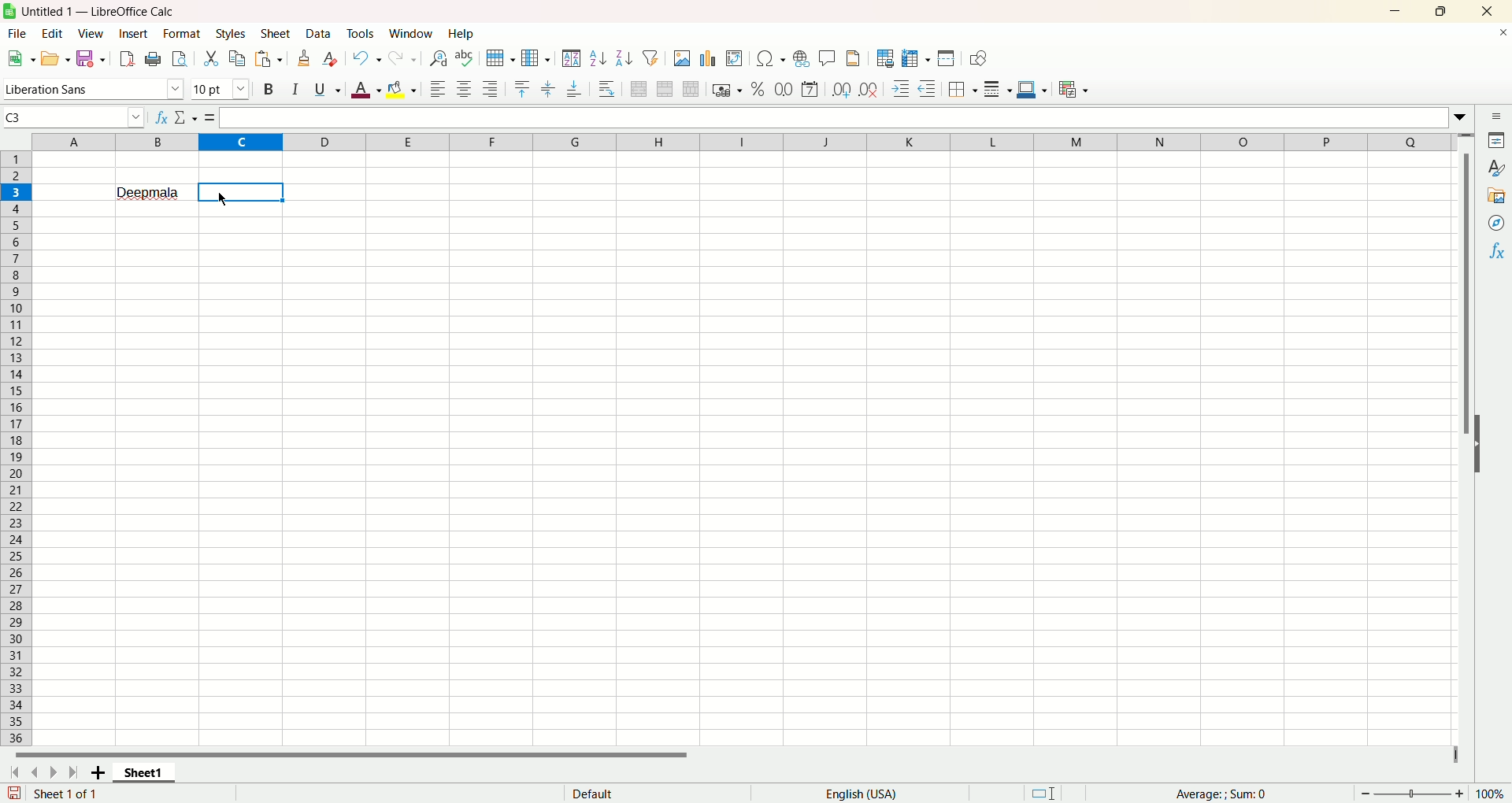 The height and width of the screenshot is (803, 1512). What do you see at coordinates (65, 794) in the screenshot?
I see `sheet 1 of 1` at bounding box center [65, 794].